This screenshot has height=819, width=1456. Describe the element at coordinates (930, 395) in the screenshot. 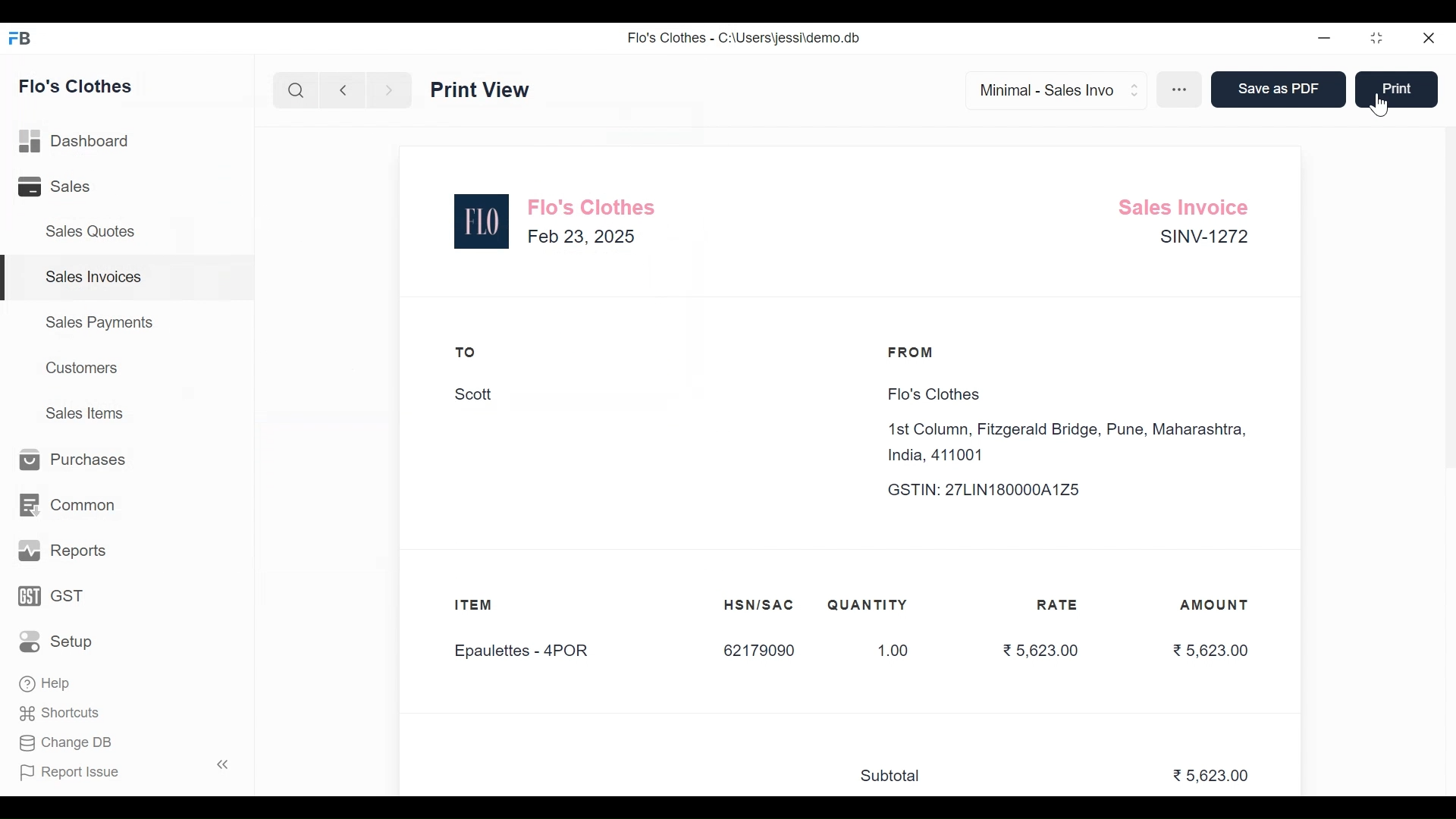

I see `Flo's Clothes` at that location.